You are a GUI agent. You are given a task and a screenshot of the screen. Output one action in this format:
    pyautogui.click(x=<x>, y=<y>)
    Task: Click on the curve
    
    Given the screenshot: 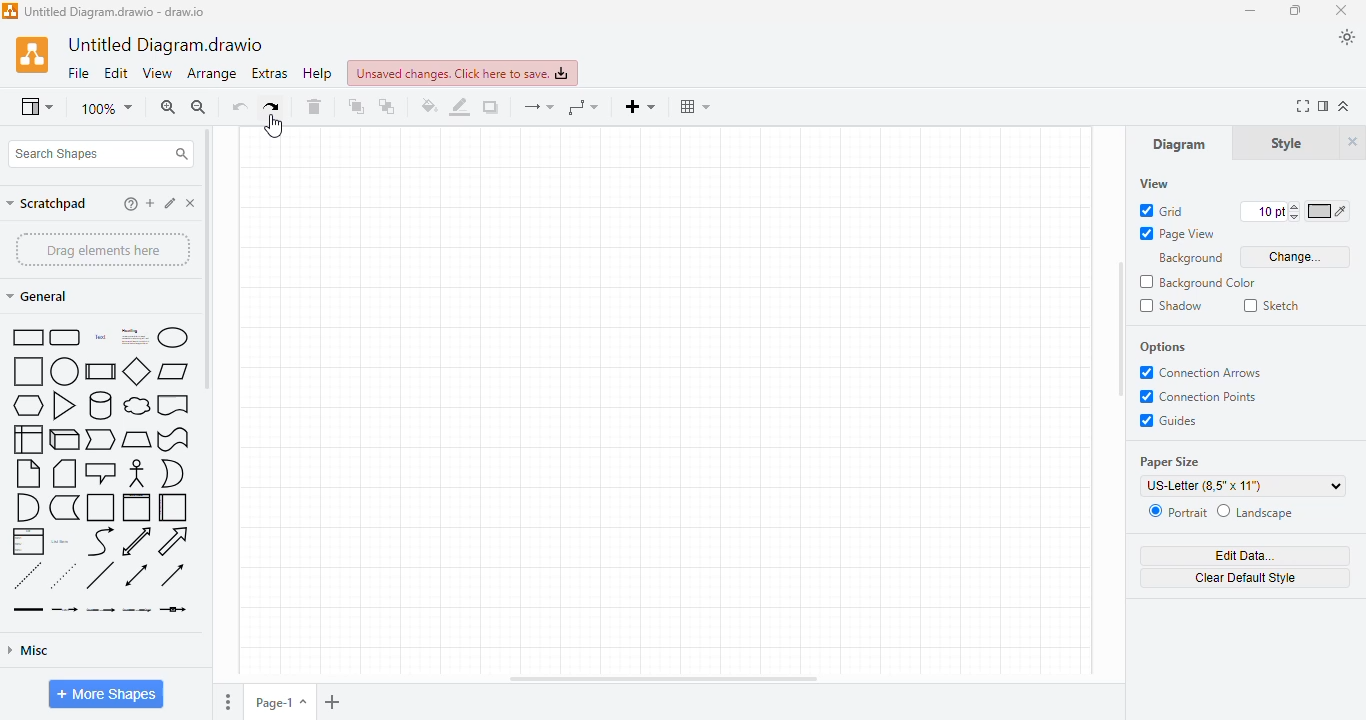 What is the action you would take?
    pyautogui.click(x=101, y=542)
    